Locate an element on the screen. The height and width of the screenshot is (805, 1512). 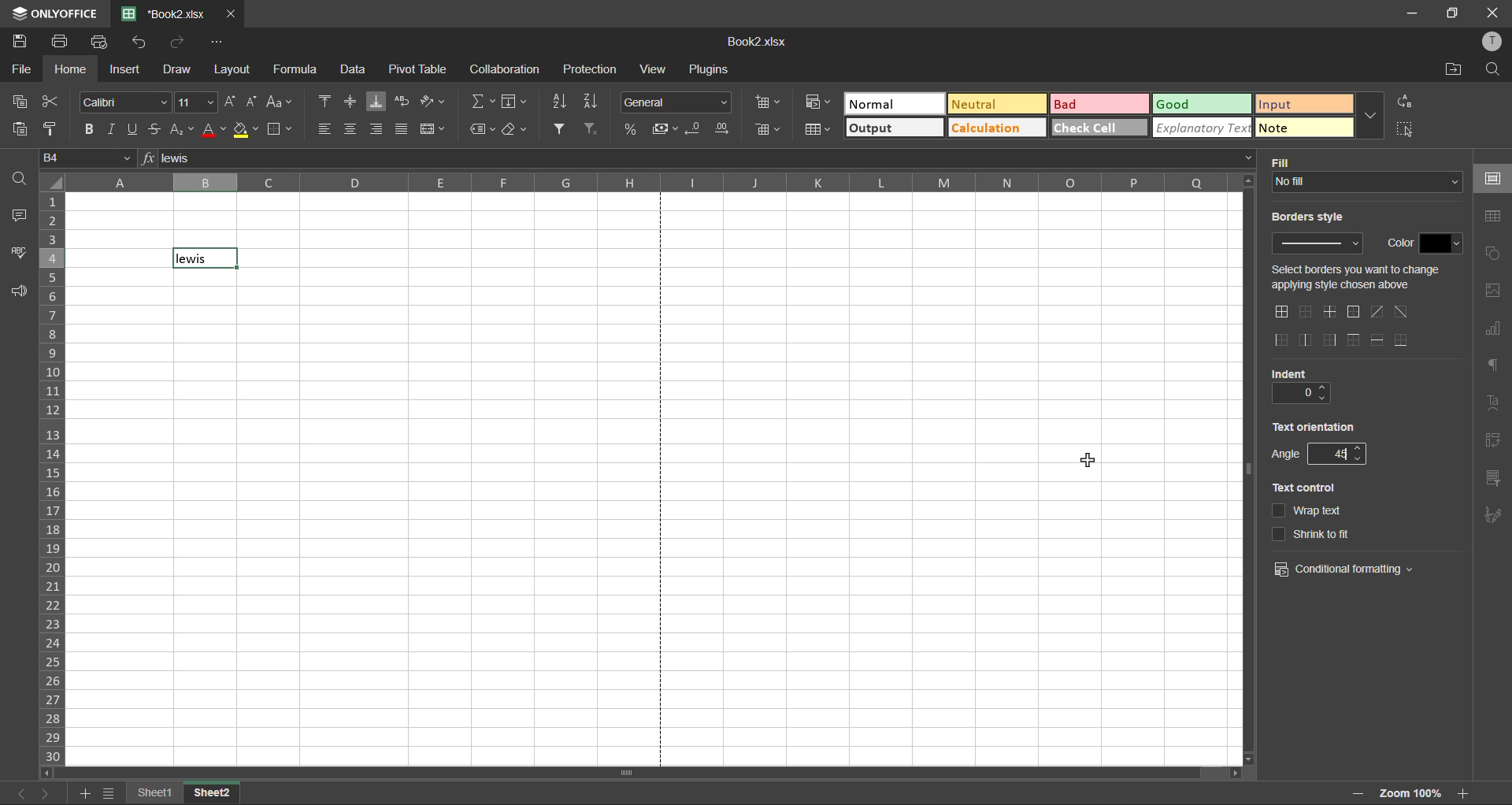
change case is located at coordinates (282, 104).